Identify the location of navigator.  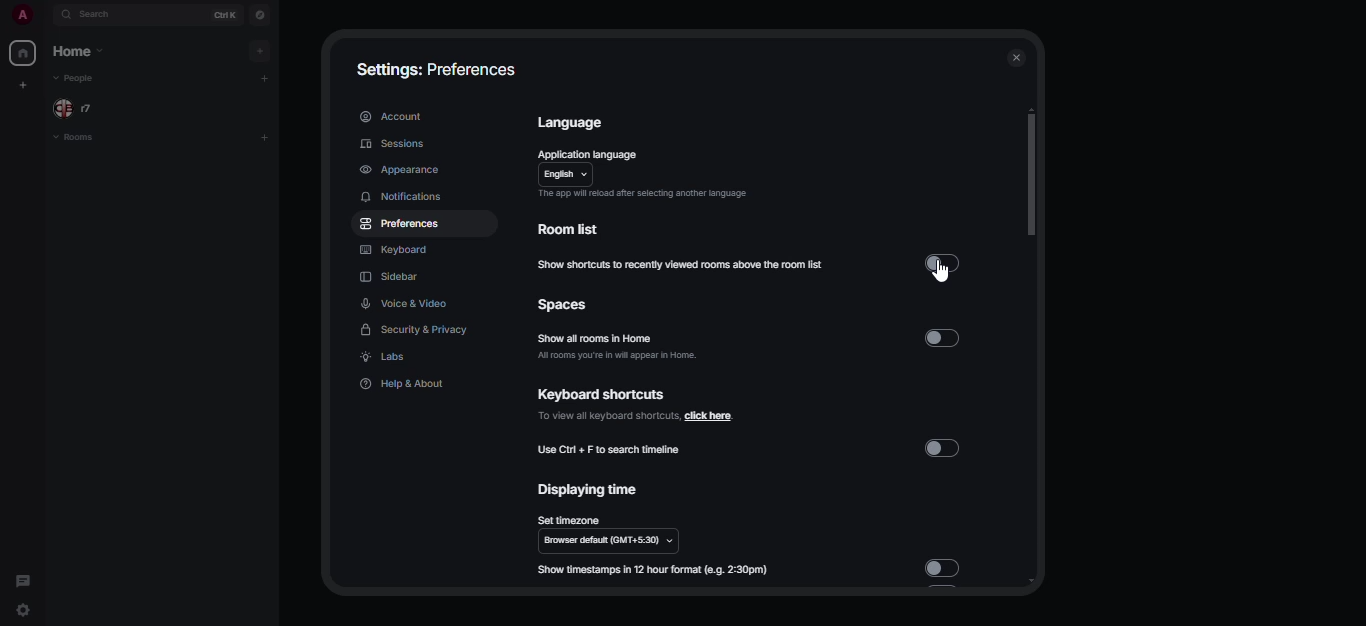
(262, 12).